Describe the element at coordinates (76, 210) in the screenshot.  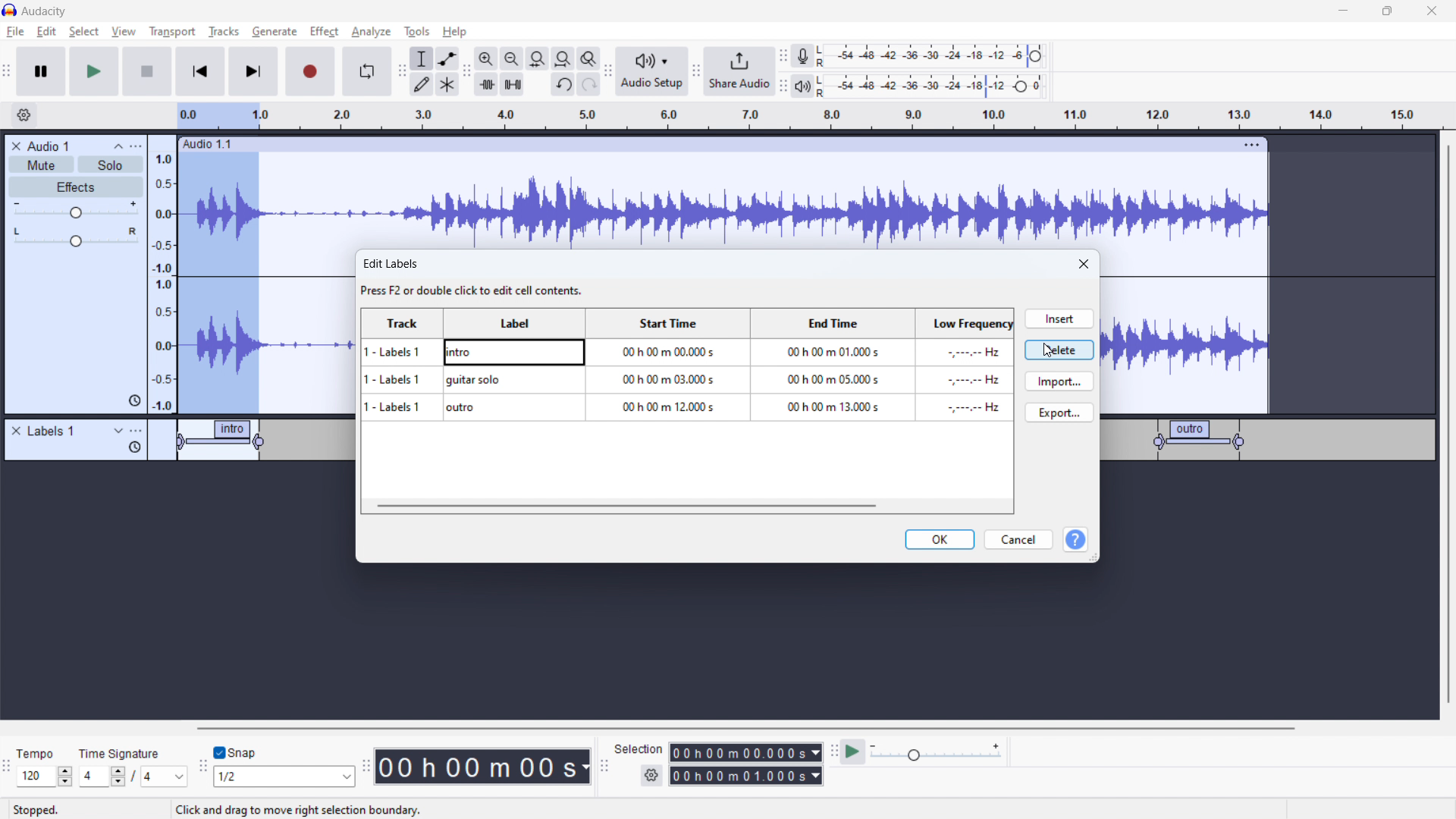
I see `gain` at that location.